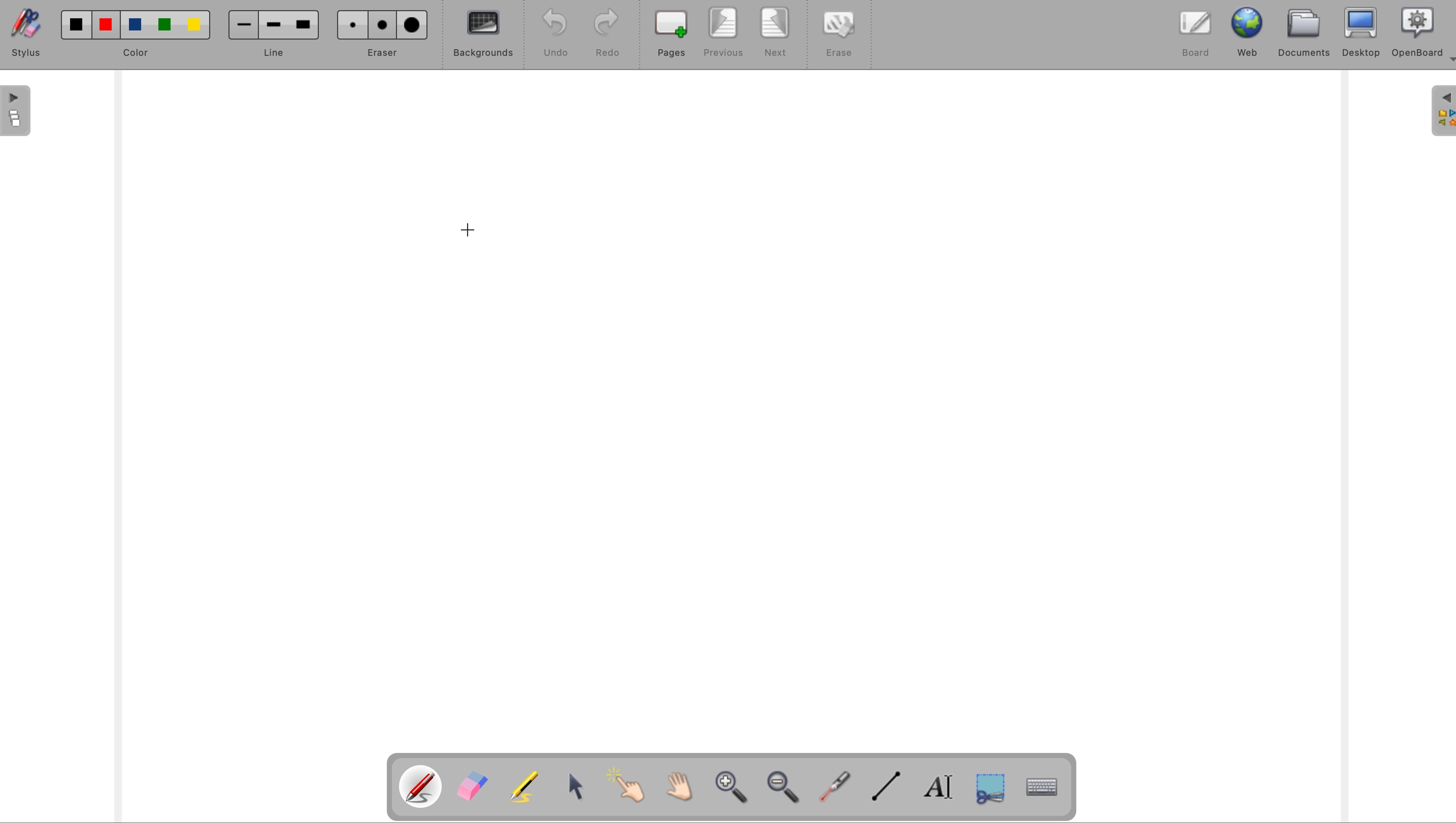  I want to click on previous, so click(725, 32).